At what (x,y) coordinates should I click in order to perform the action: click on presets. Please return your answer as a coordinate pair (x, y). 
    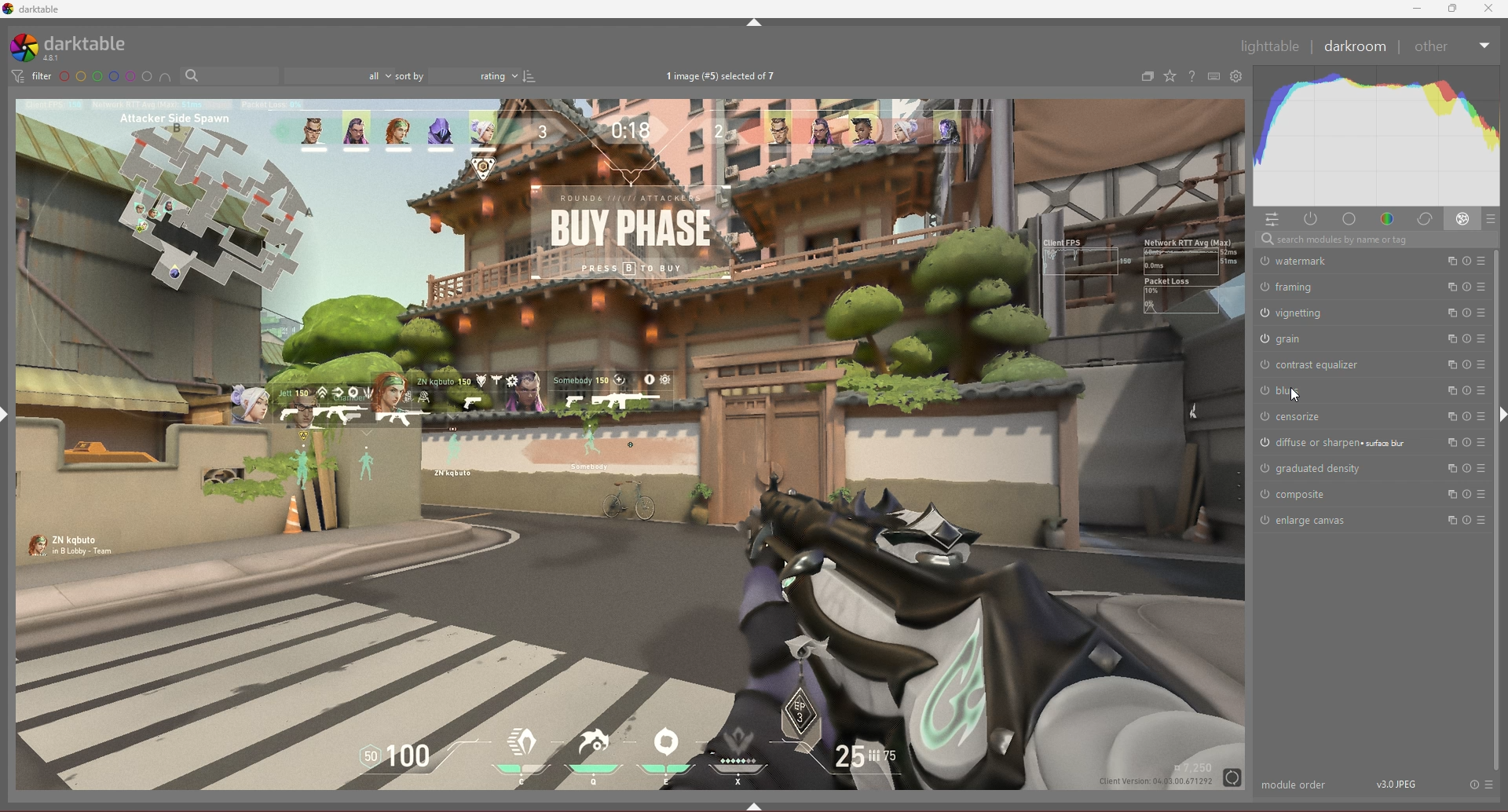
    Looking at the image, I should click on (1483, 364).